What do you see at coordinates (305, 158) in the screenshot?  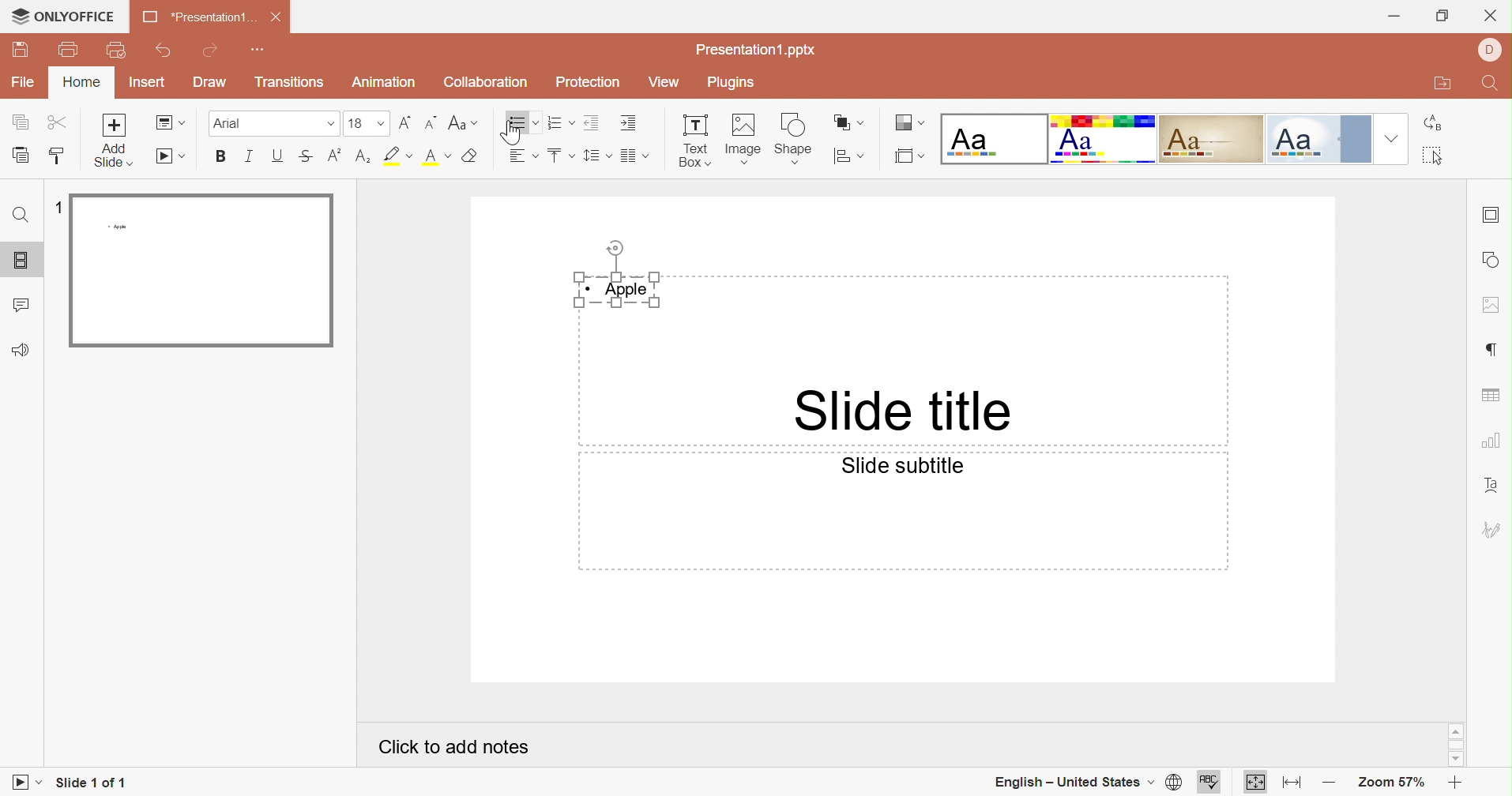 I see `Superscript` at bounding box center [305, 158].